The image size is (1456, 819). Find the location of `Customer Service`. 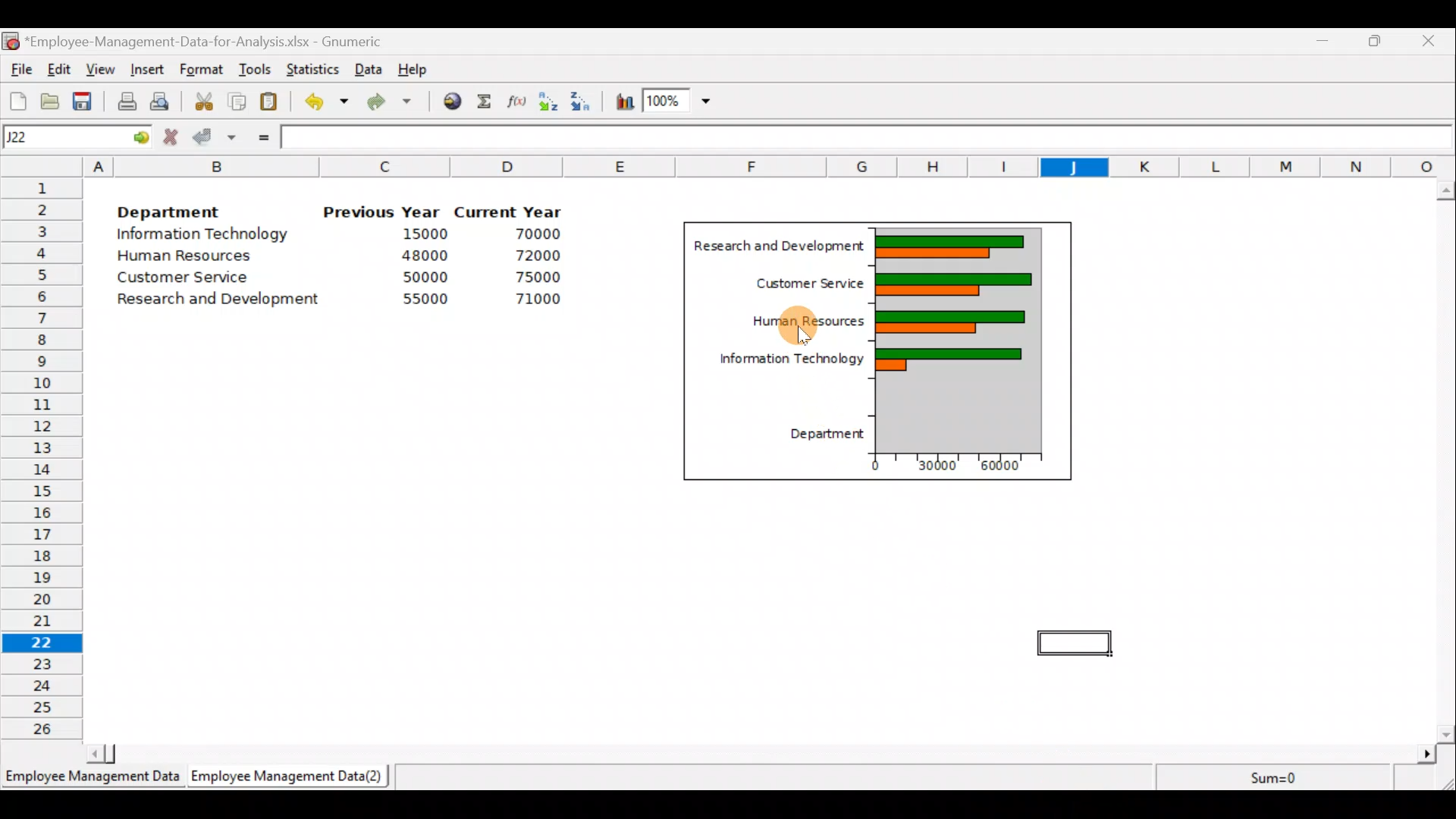

Customer Service is located at coordinates (176, 278).